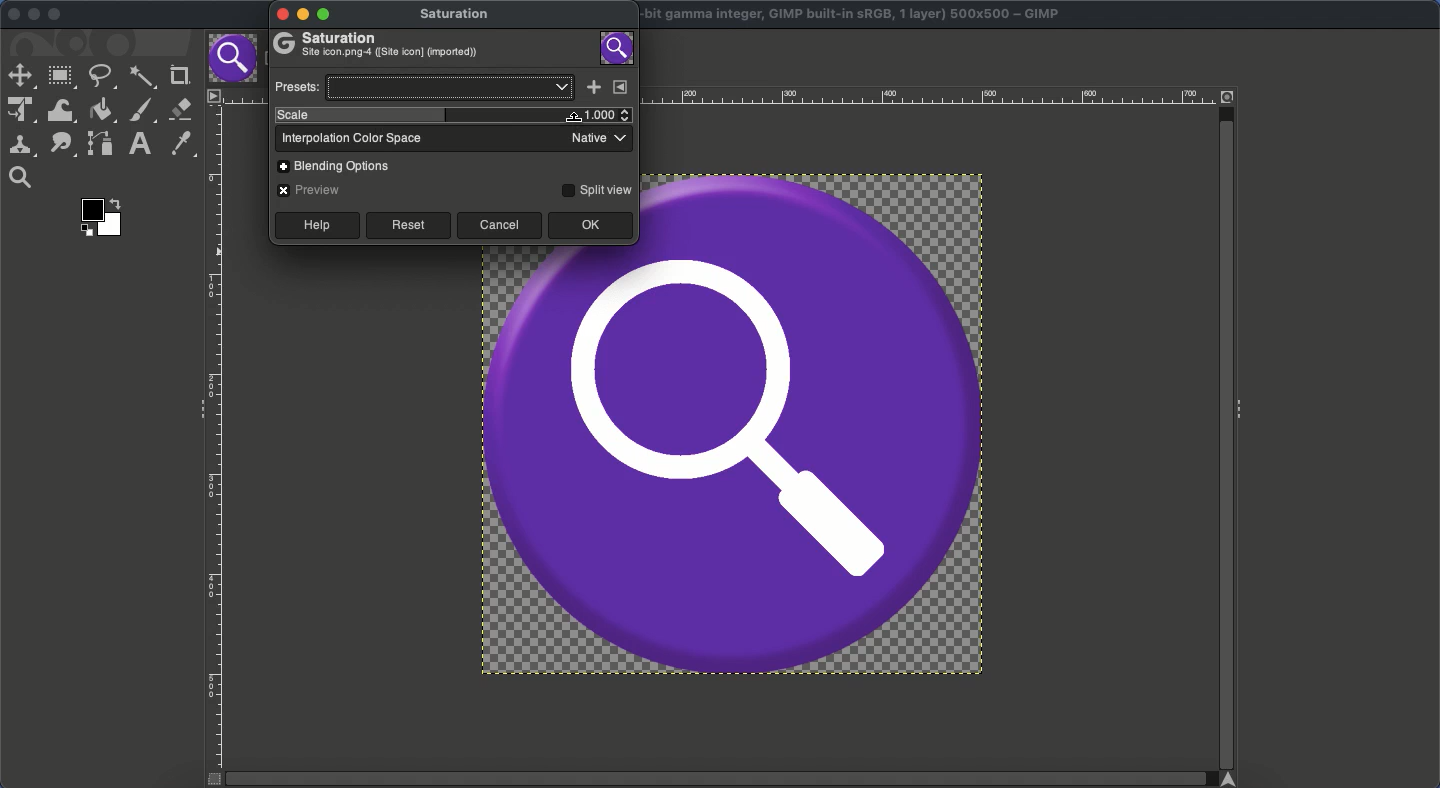 The height and width of the screenshot is (788, 1440). What do you see at coordinates (217, 438) in the screenshot?
I see `Ruler` at bounding box center [217, 438].